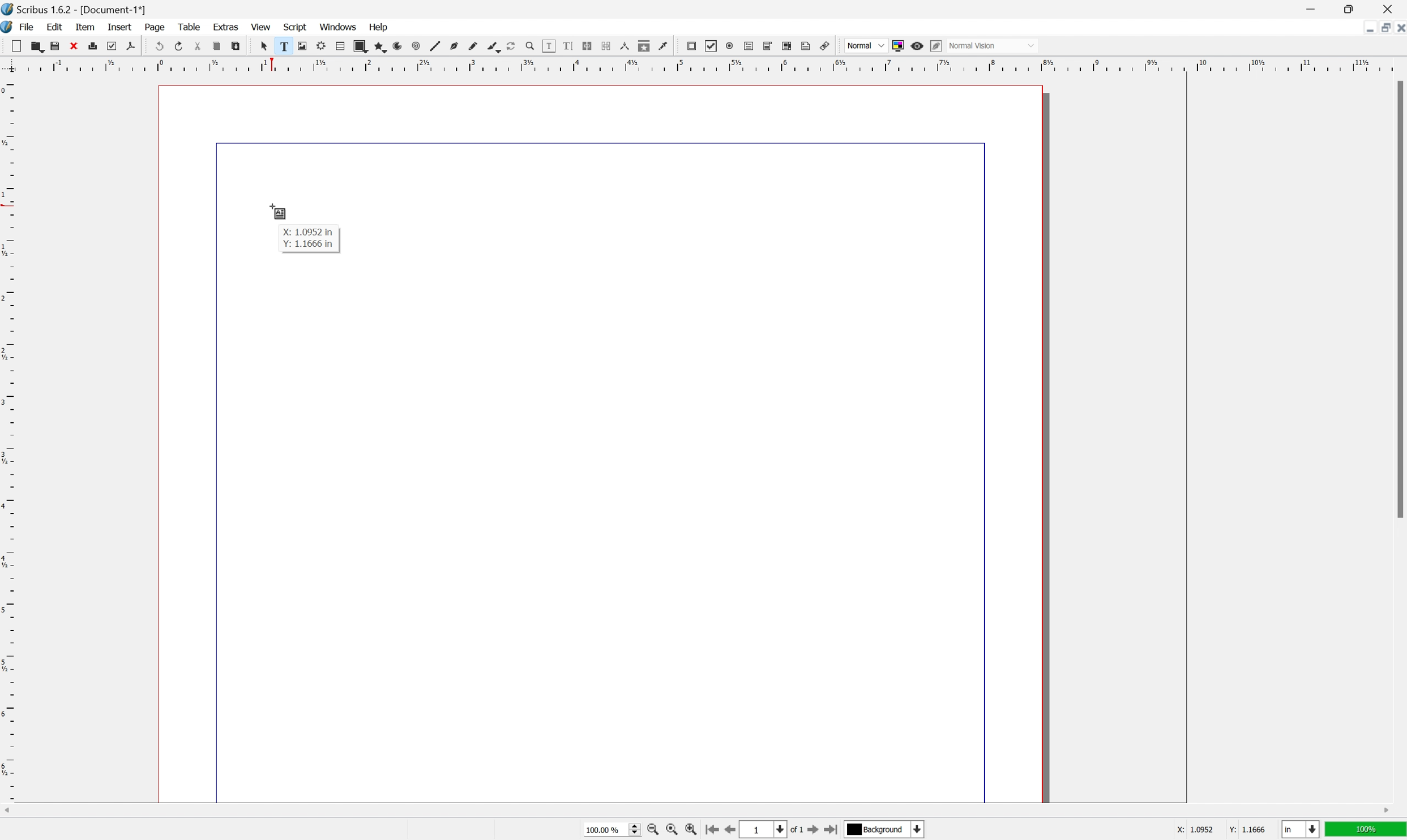 The image size is (1407, 840). What do you see at coordinates (227, 26) in the screenshot?
I see `extras` at bounding box center [227, 26].